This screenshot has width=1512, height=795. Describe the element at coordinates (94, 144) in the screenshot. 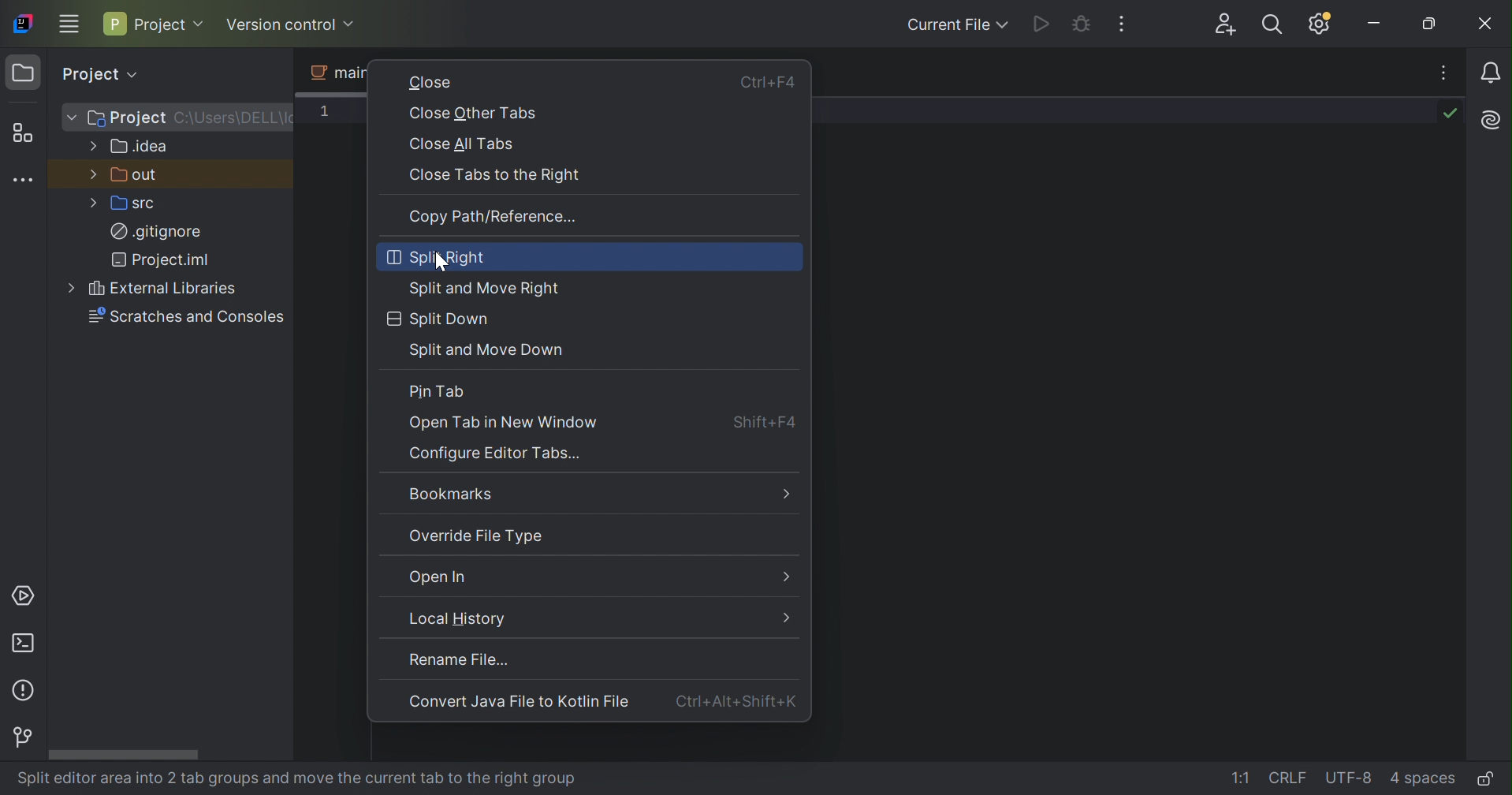

I see `More` at that location.